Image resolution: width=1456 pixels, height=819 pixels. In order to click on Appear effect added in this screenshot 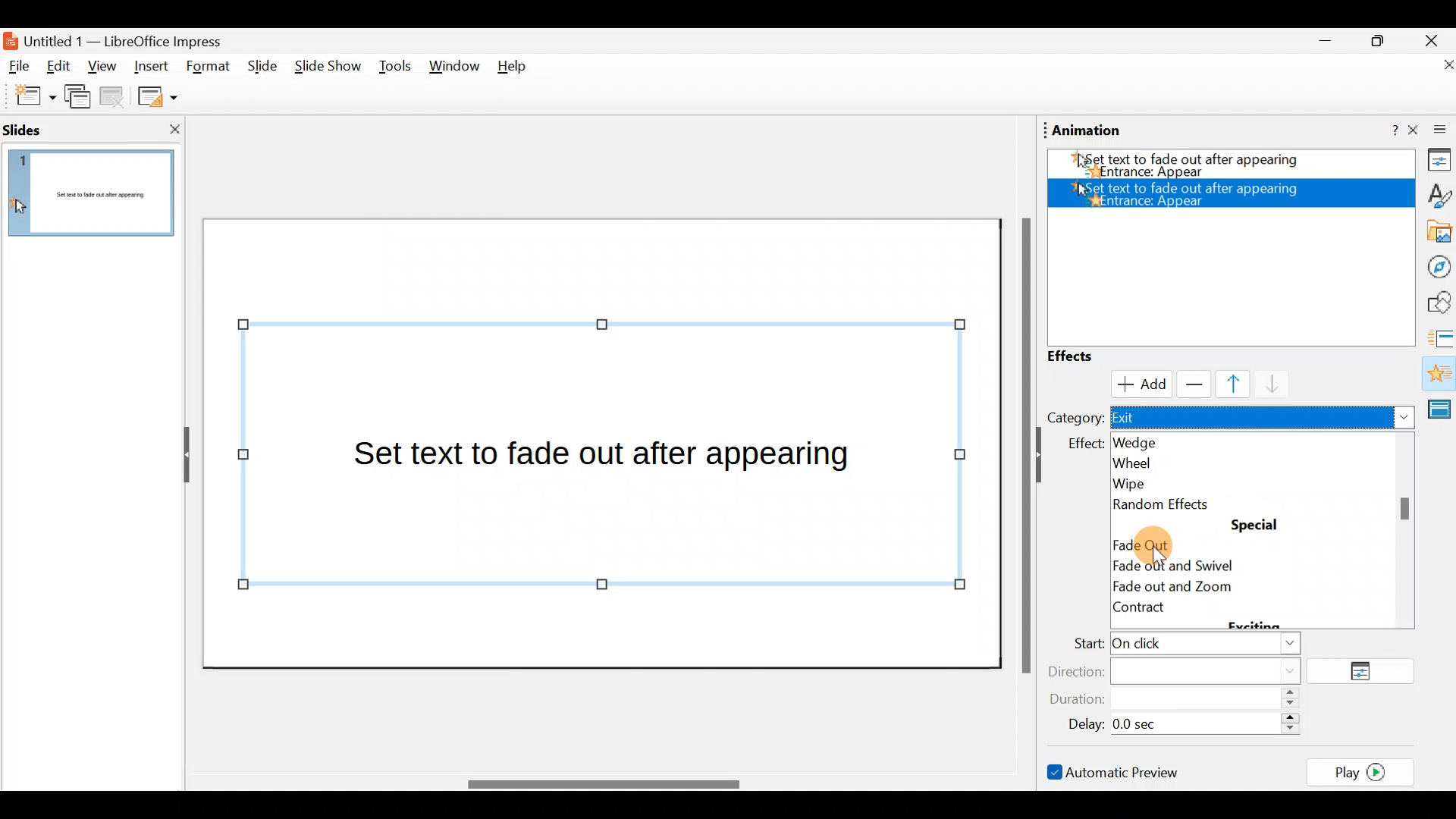, I will do `click(1191, 193)`.